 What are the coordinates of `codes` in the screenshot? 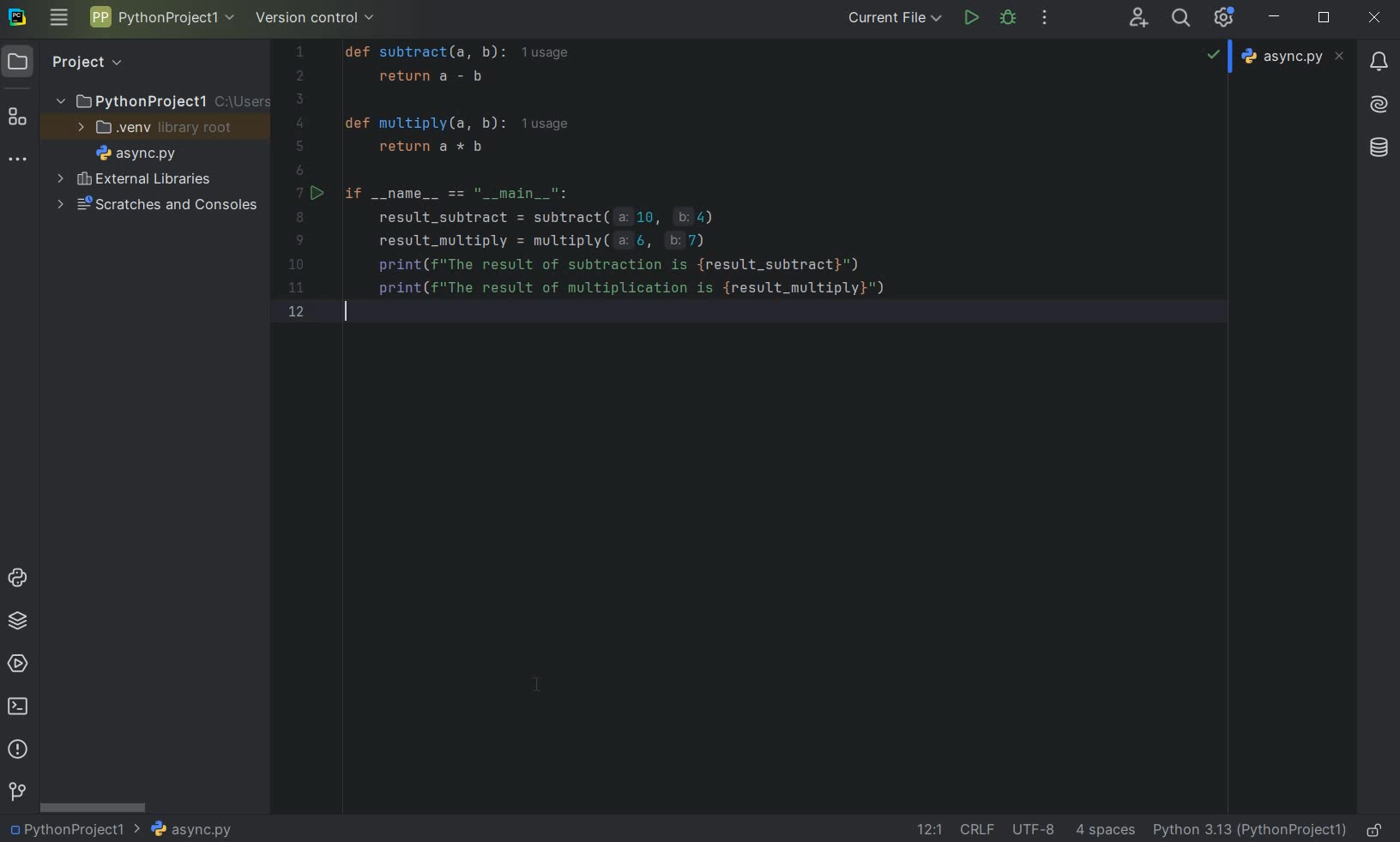 It's located at (708, 201).